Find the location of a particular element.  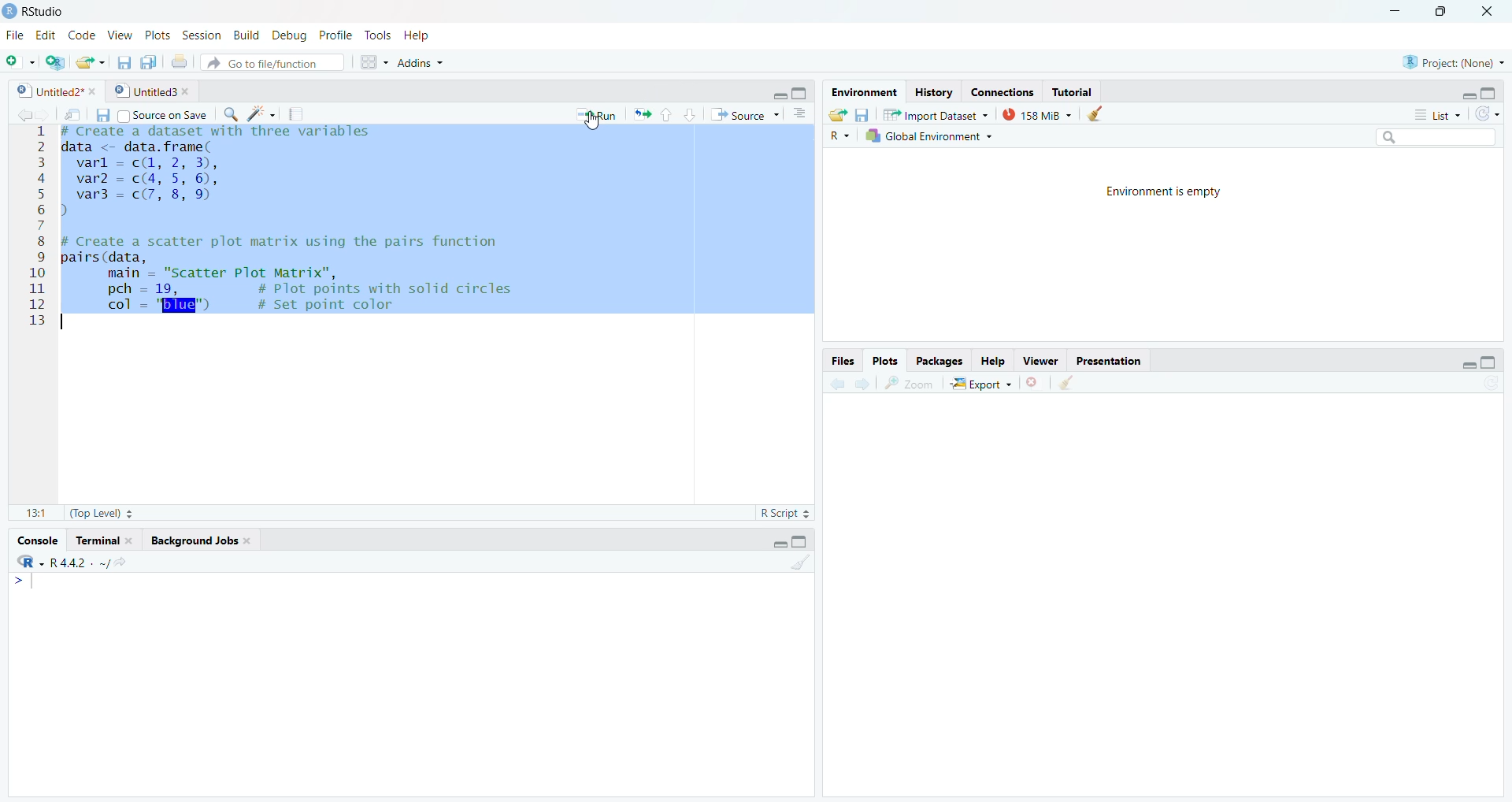

b Global Environment - is located at coordinates (925, 136).